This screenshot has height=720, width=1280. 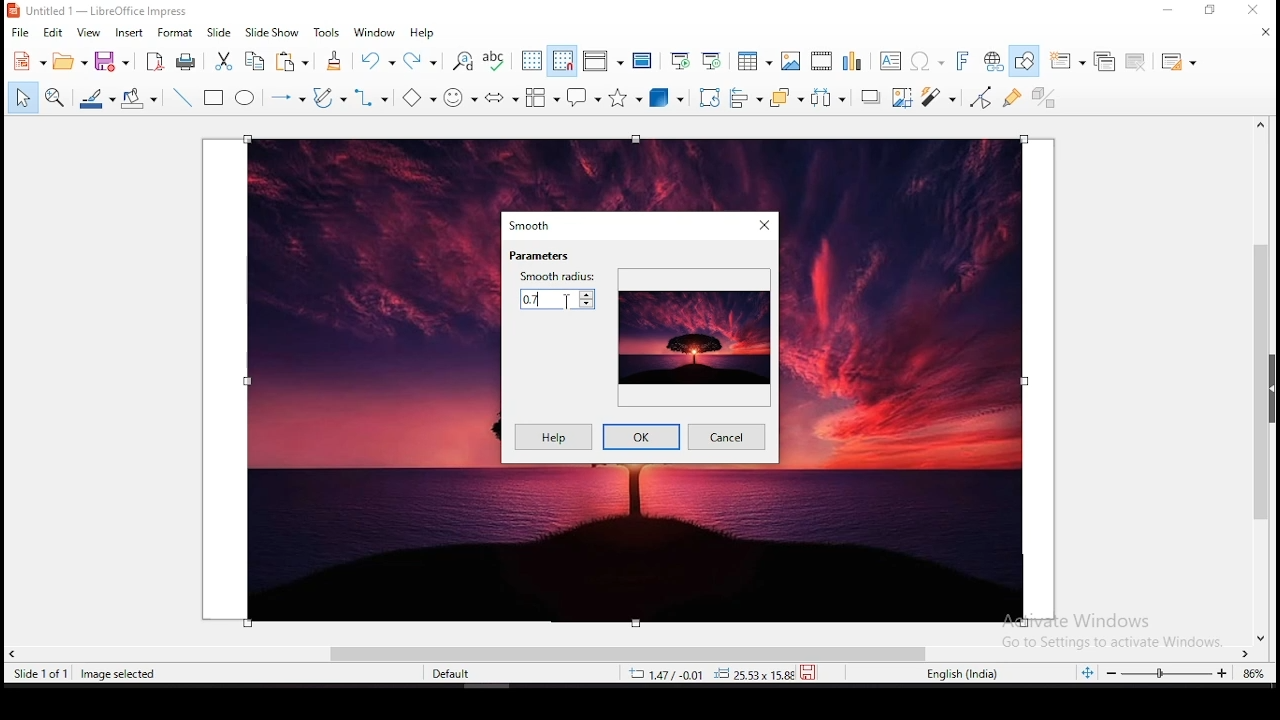 I want to click on symbol shapes, so click(x=463, y=96).